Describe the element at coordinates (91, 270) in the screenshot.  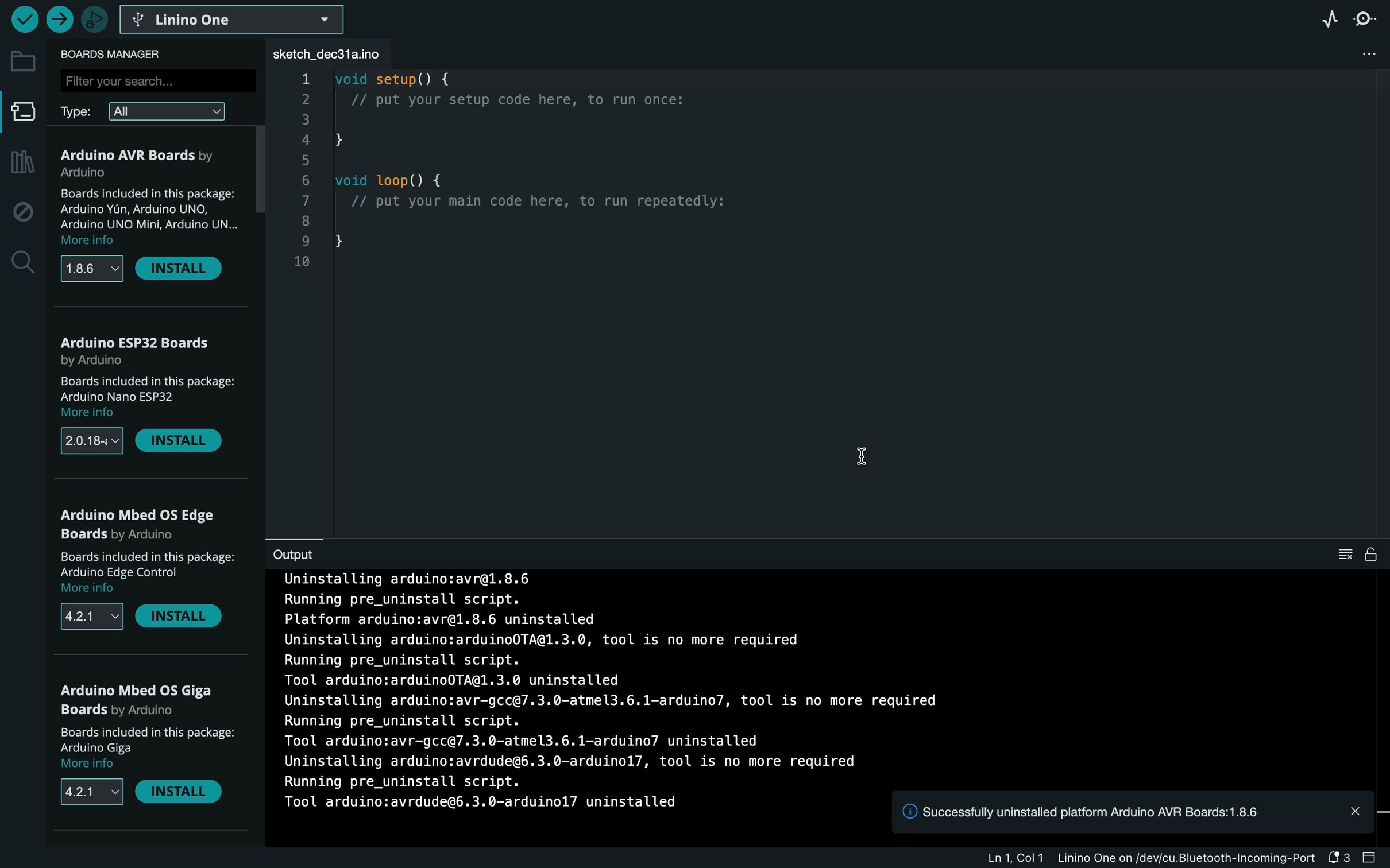
I see `versions` at that location.